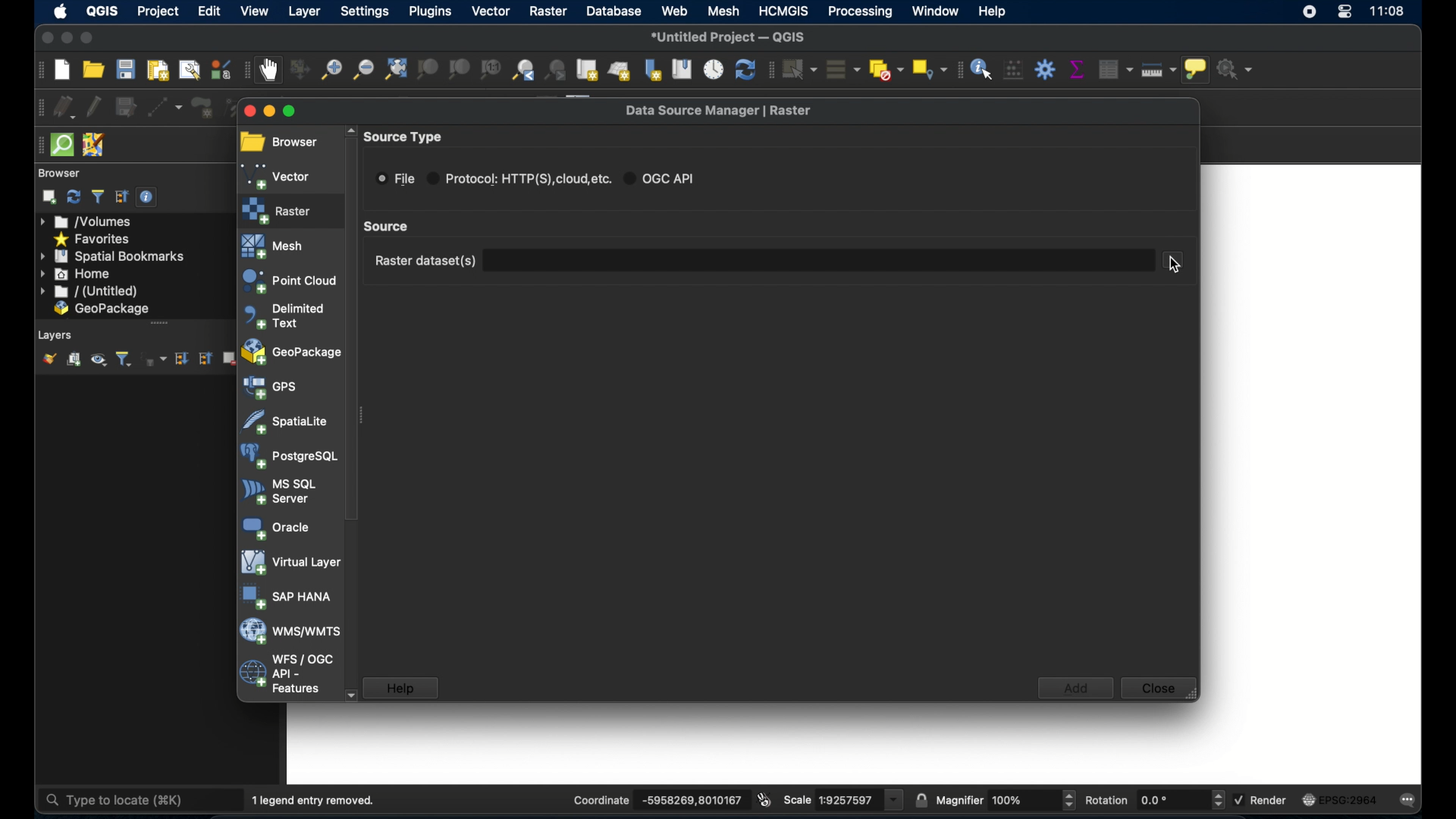  Describe the element at coordinates (95, 105) in the screenshot. I see `toggle editing` at that location.